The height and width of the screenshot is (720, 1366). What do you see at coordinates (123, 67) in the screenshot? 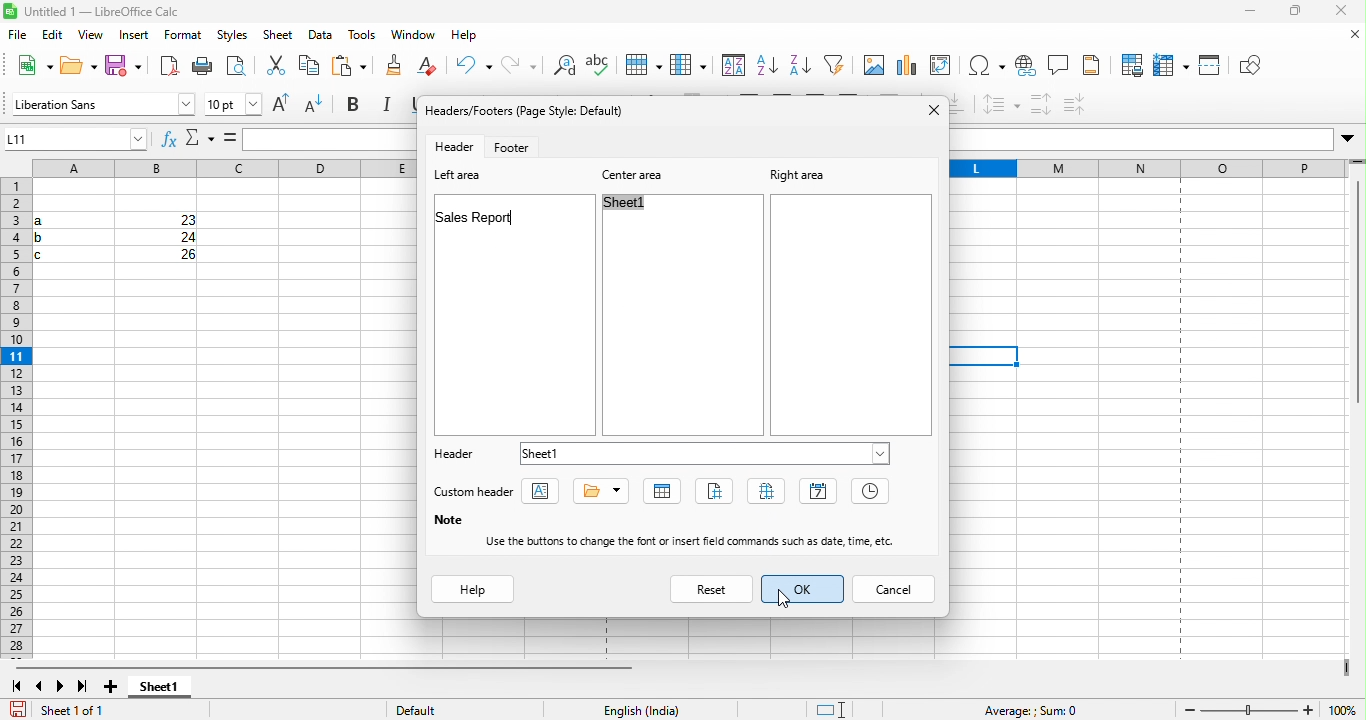
I see `save` at bounding box center [123, 67].